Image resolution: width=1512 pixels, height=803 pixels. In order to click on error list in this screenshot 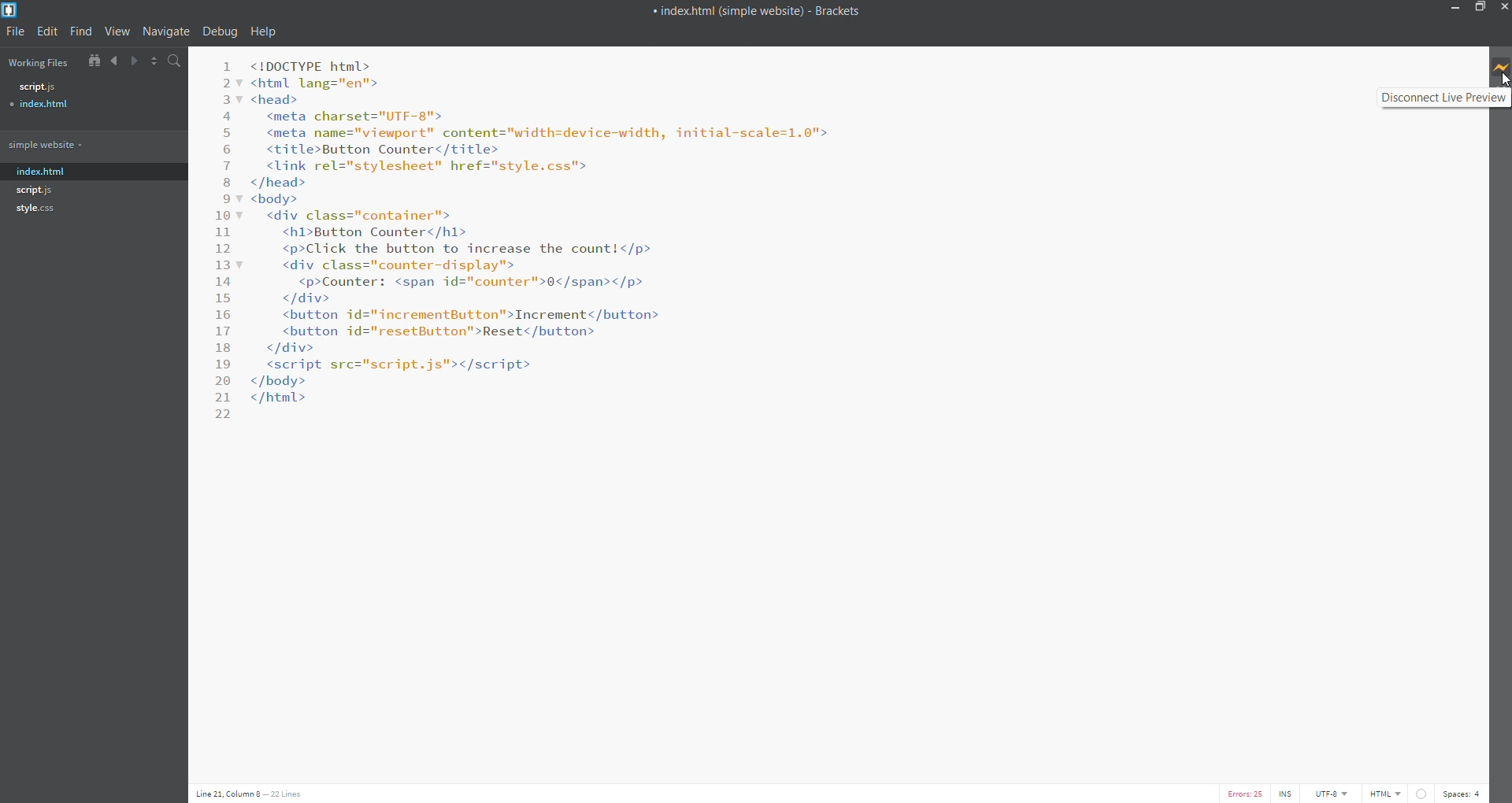, I will do `click(1243, 794)`.